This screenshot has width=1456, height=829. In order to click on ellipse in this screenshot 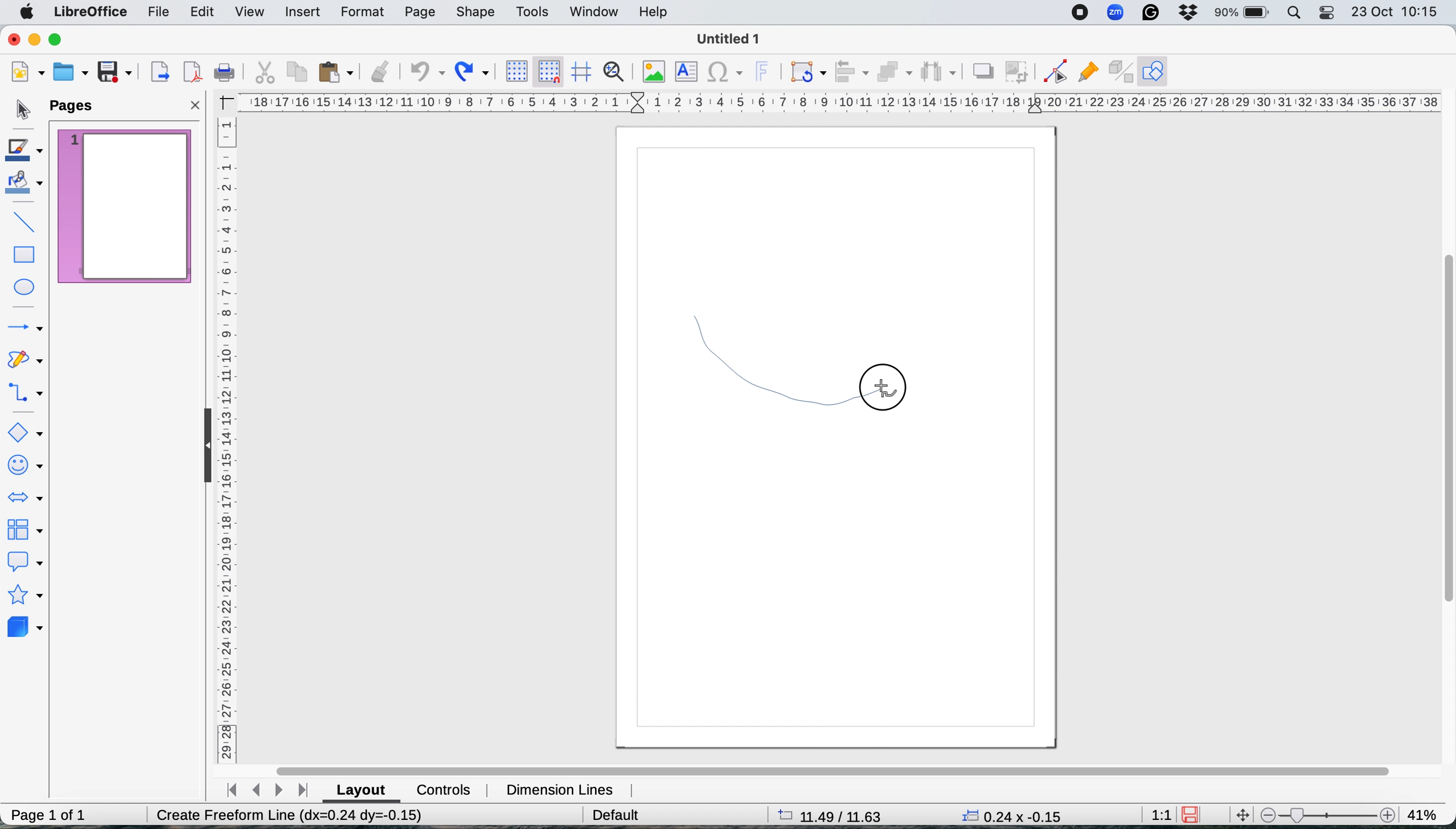, I will do `click(27, 284)`.